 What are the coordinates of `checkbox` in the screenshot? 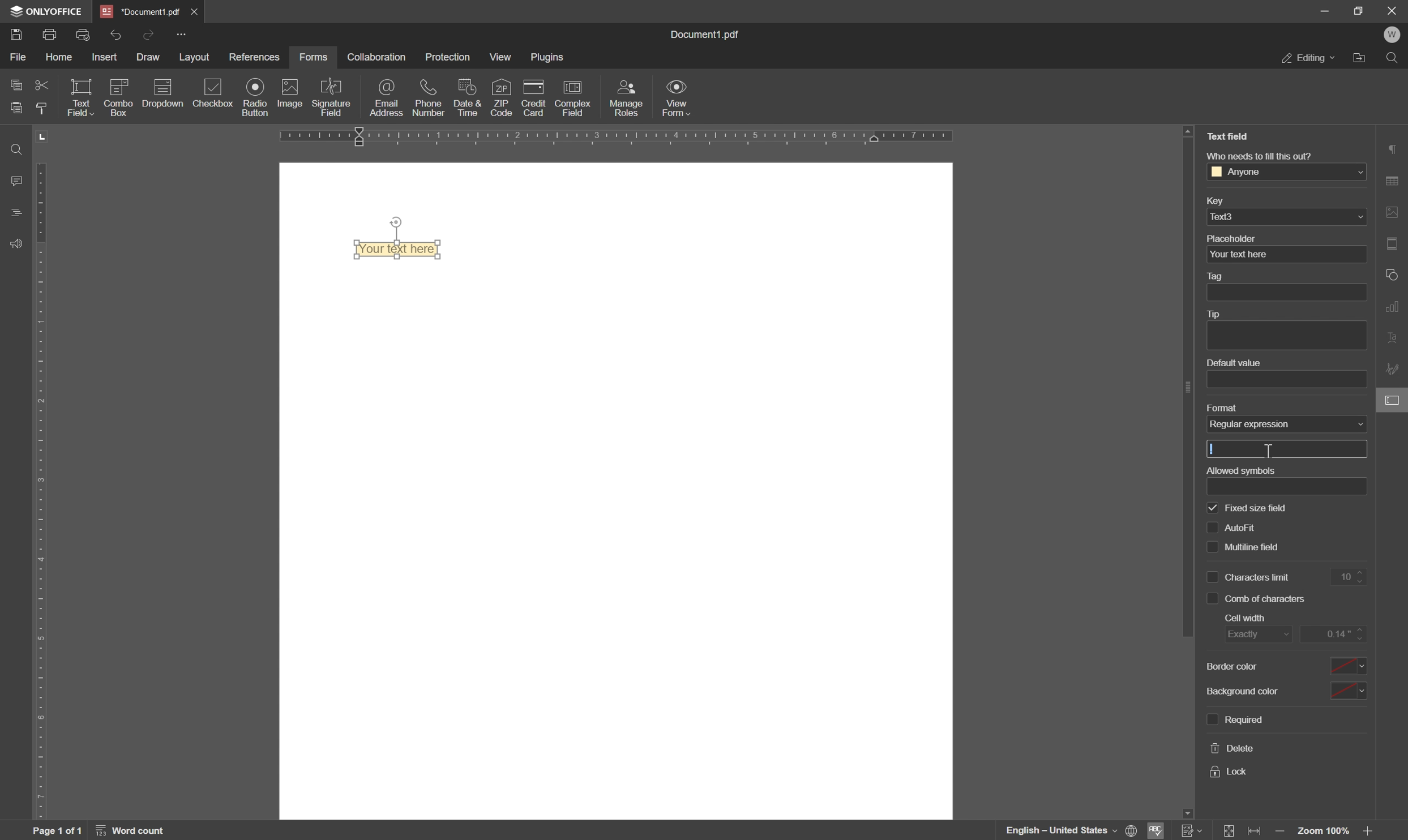 It's located at (214, 93).